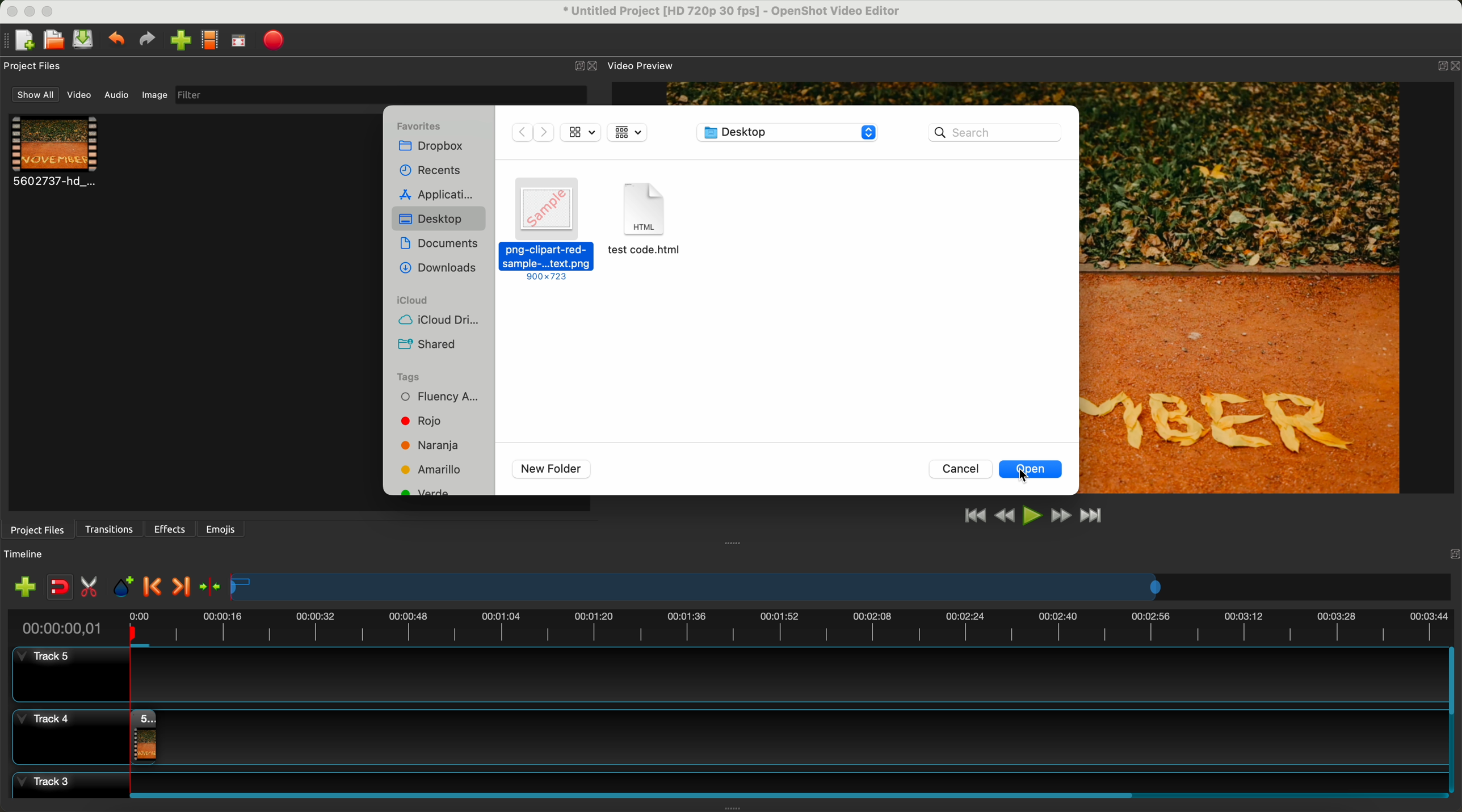 The height and width of the screenshot is (812, 1462). I want to click on tags, so click(424, 375).